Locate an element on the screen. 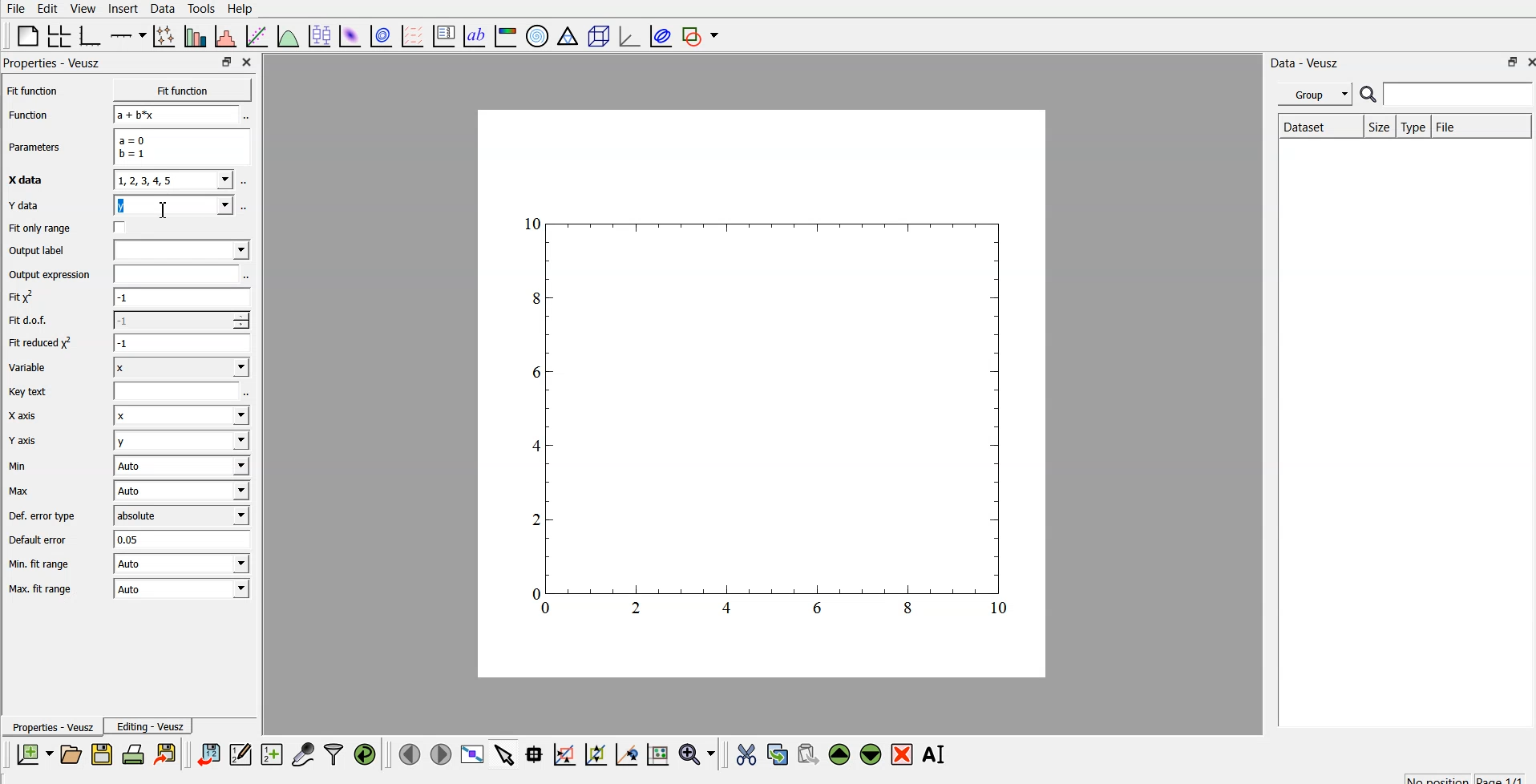 This screenshot has height=784, width=1536. click to zoom out on graph axes is located at coordinates (596, 754).